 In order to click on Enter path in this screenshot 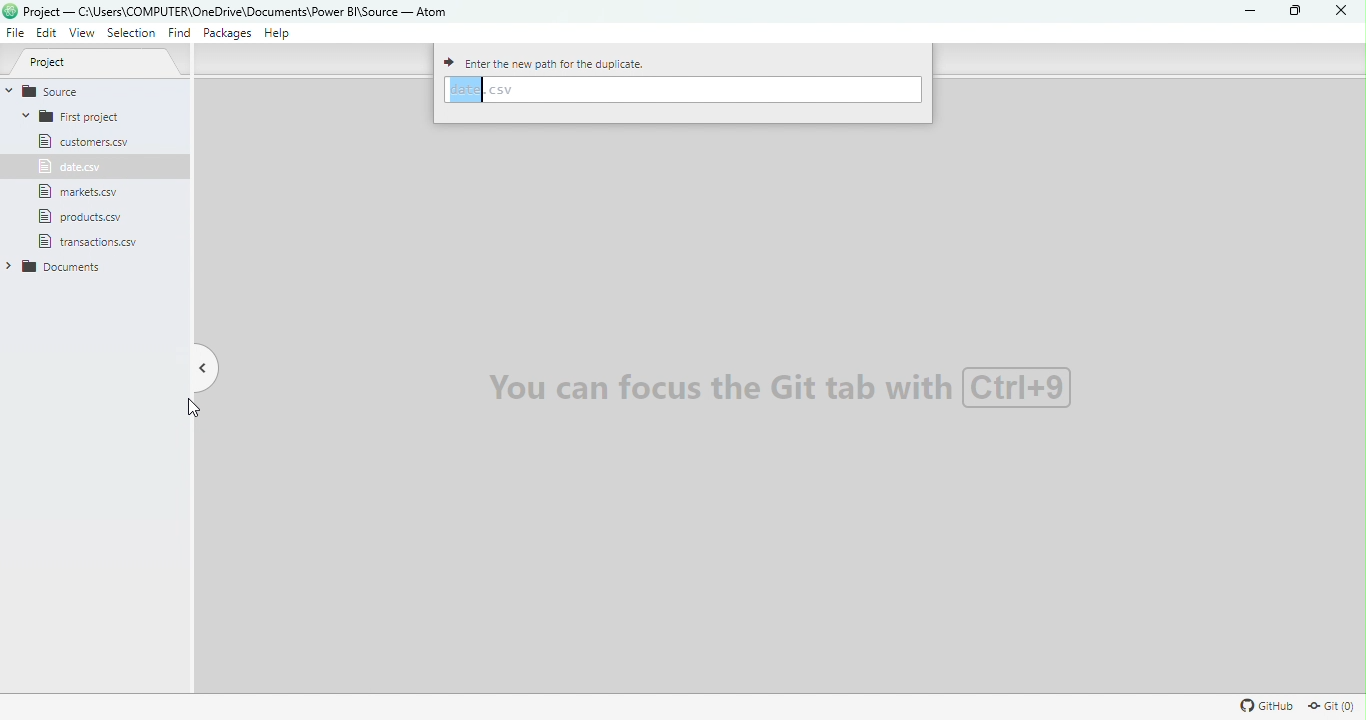, I will do `click(682, 91)`.